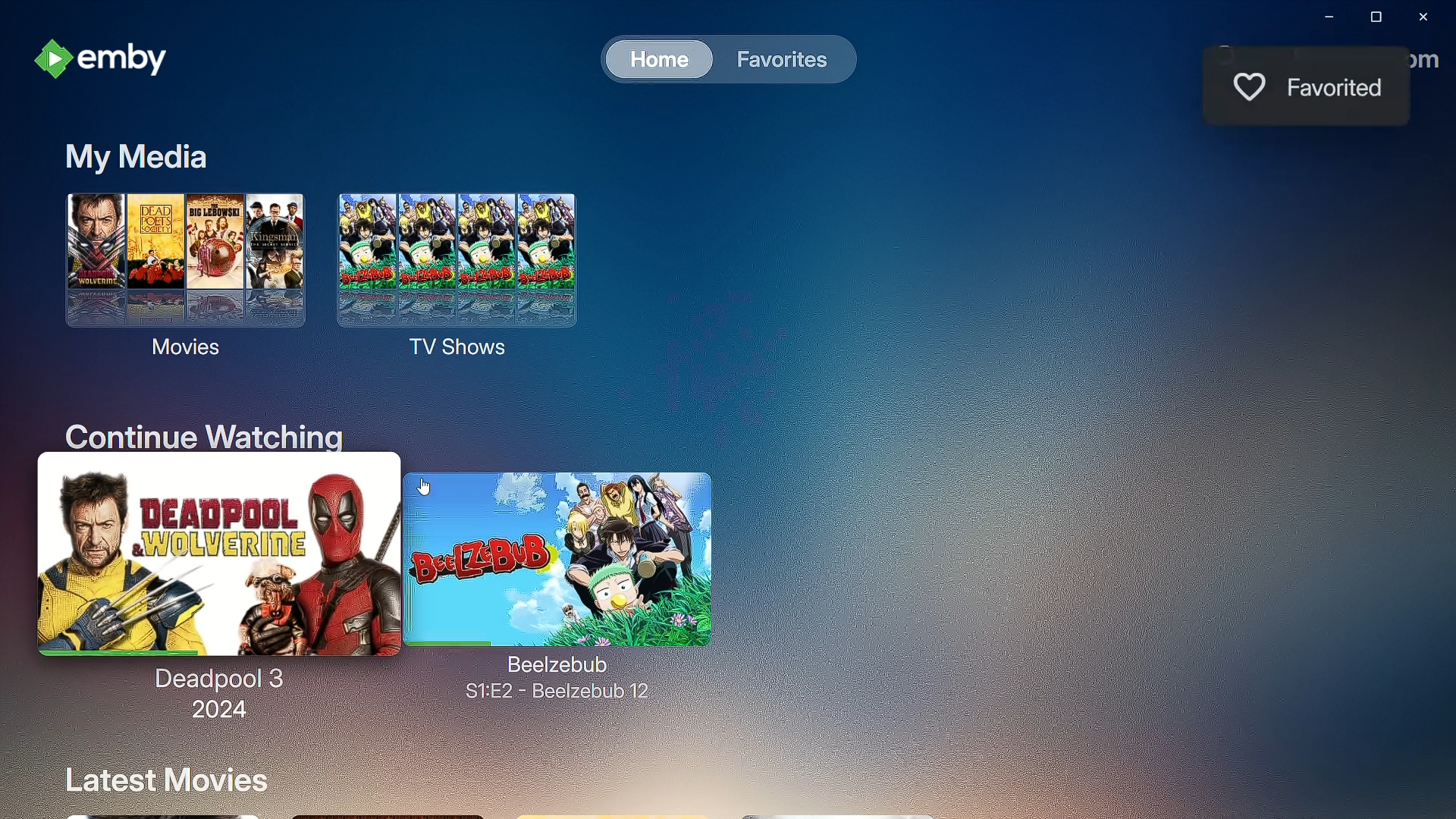 The height and width of the screenshot is (819, 1456). What do you see at coordinates (426, 488) in the screenshot?
I see `Cursor` at bounding box center [426, 488].